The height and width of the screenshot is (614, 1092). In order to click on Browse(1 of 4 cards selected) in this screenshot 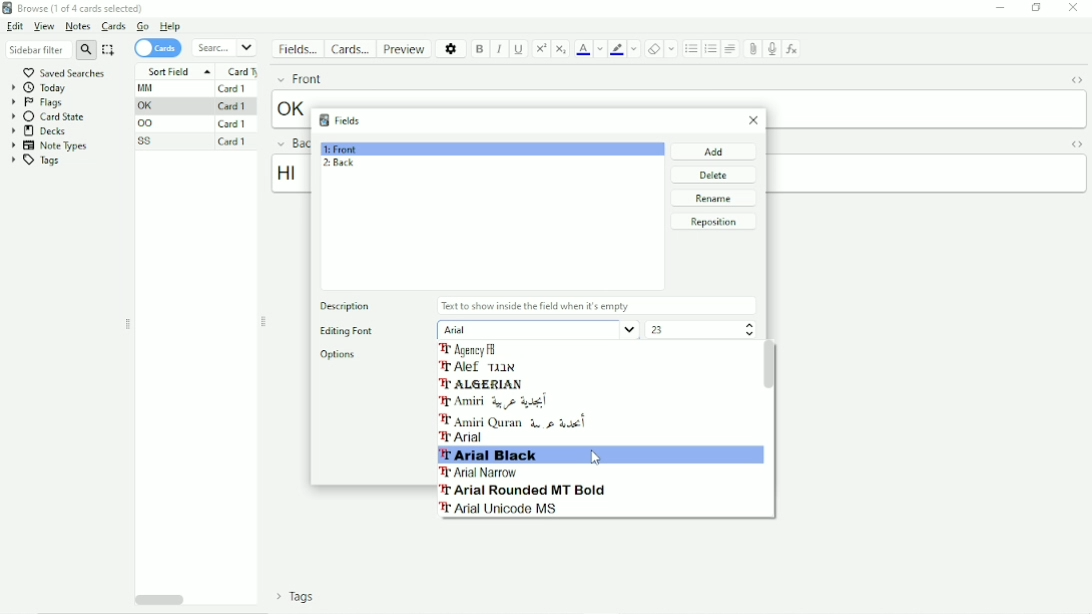, I will do `click(76, 8)`.